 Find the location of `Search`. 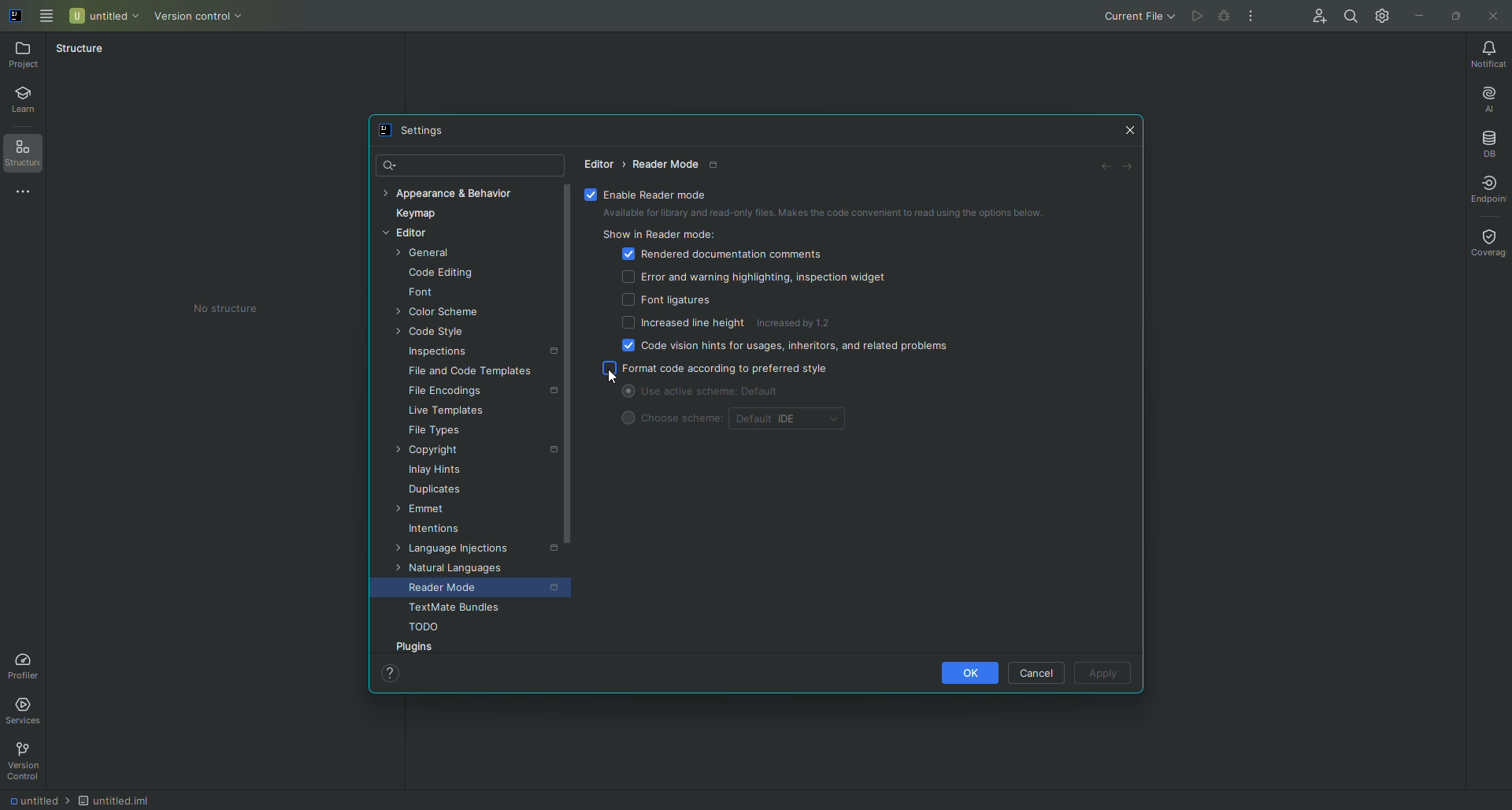

Search is located at coordinates (390, 164).